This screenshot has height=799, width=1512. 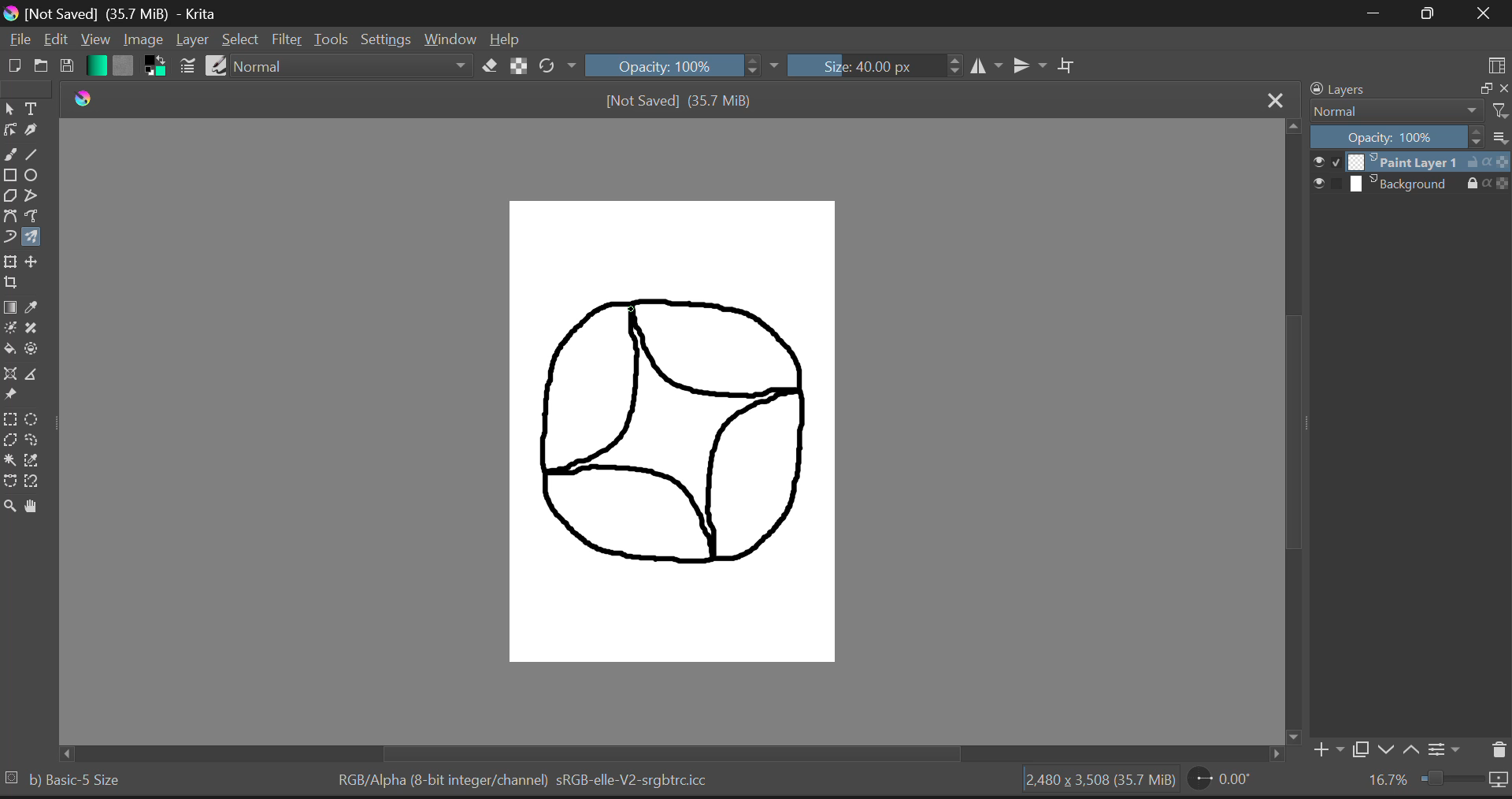 What do you see at coordinates (11, 461) in the screenshot?
I see `Continuous Selection` at bounding box center [11, 461].